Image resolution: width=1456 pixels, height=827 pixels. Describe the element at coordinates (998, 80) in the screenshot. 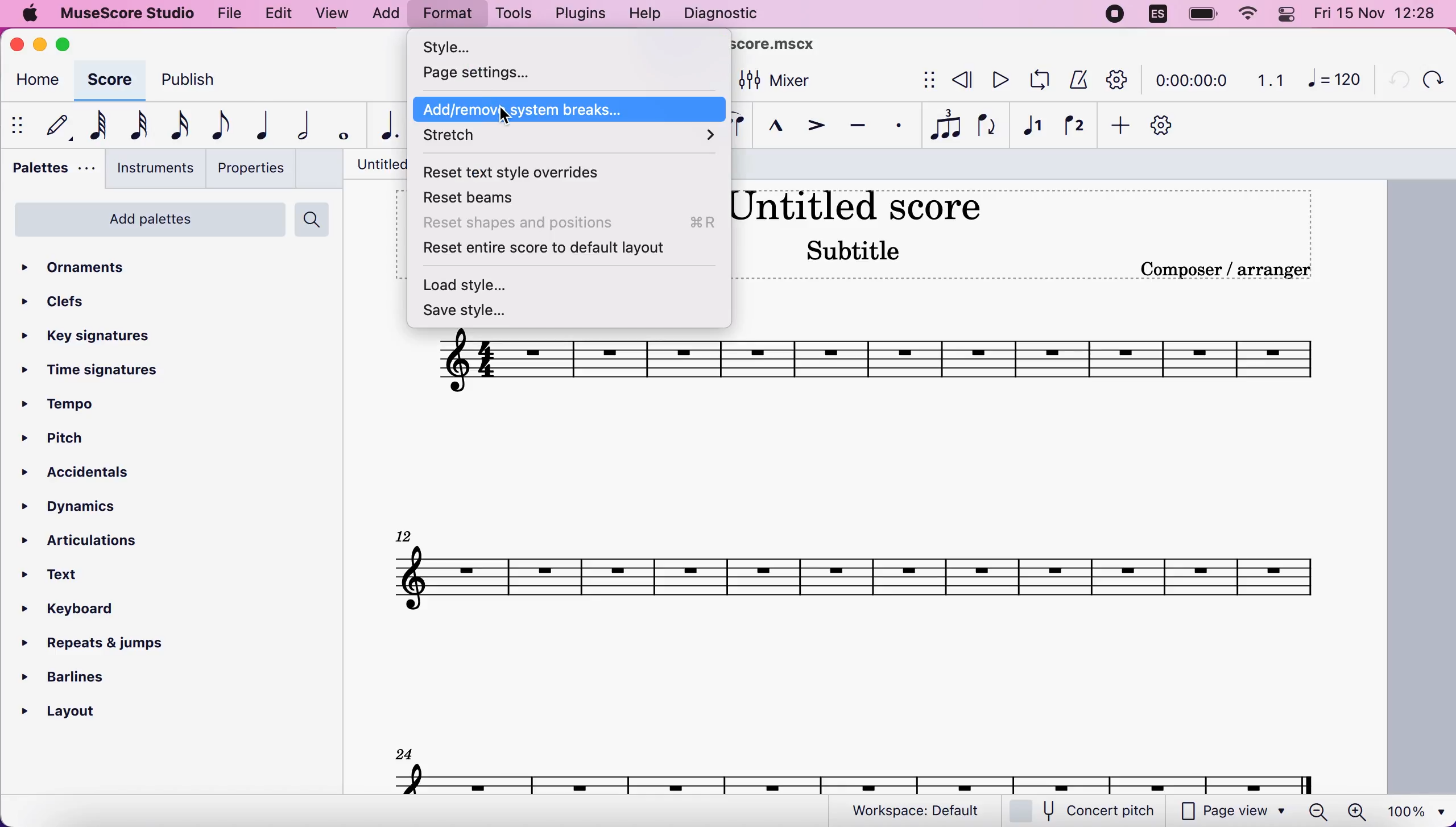

I see `play` at that location.